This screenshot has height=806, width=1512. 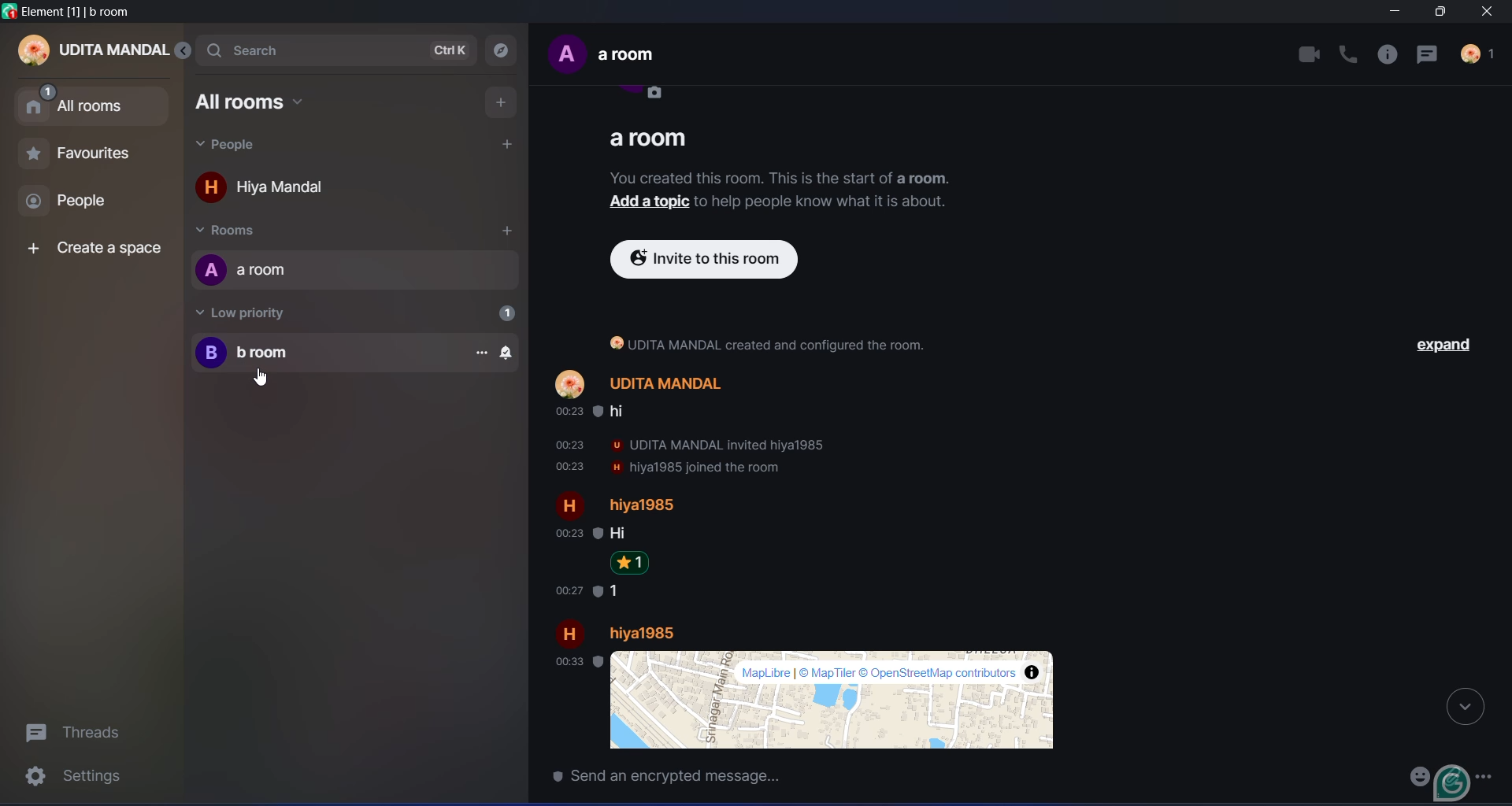 I want to click on Location image, so click(x=814, y=700).